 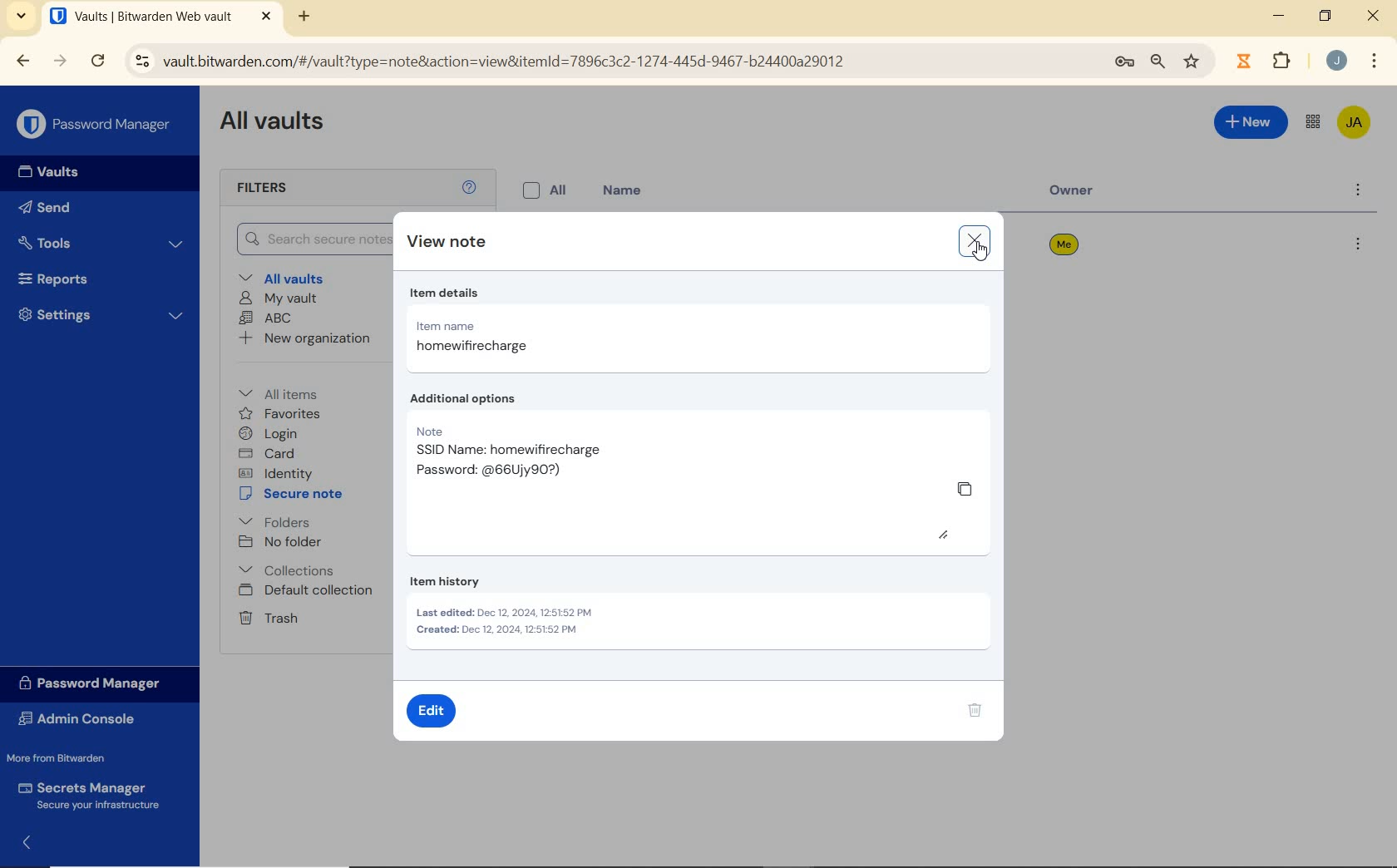 What do you see at coordinates (60, 61) in the screenshot?
I see `forward` at bounding box center [60, 61].